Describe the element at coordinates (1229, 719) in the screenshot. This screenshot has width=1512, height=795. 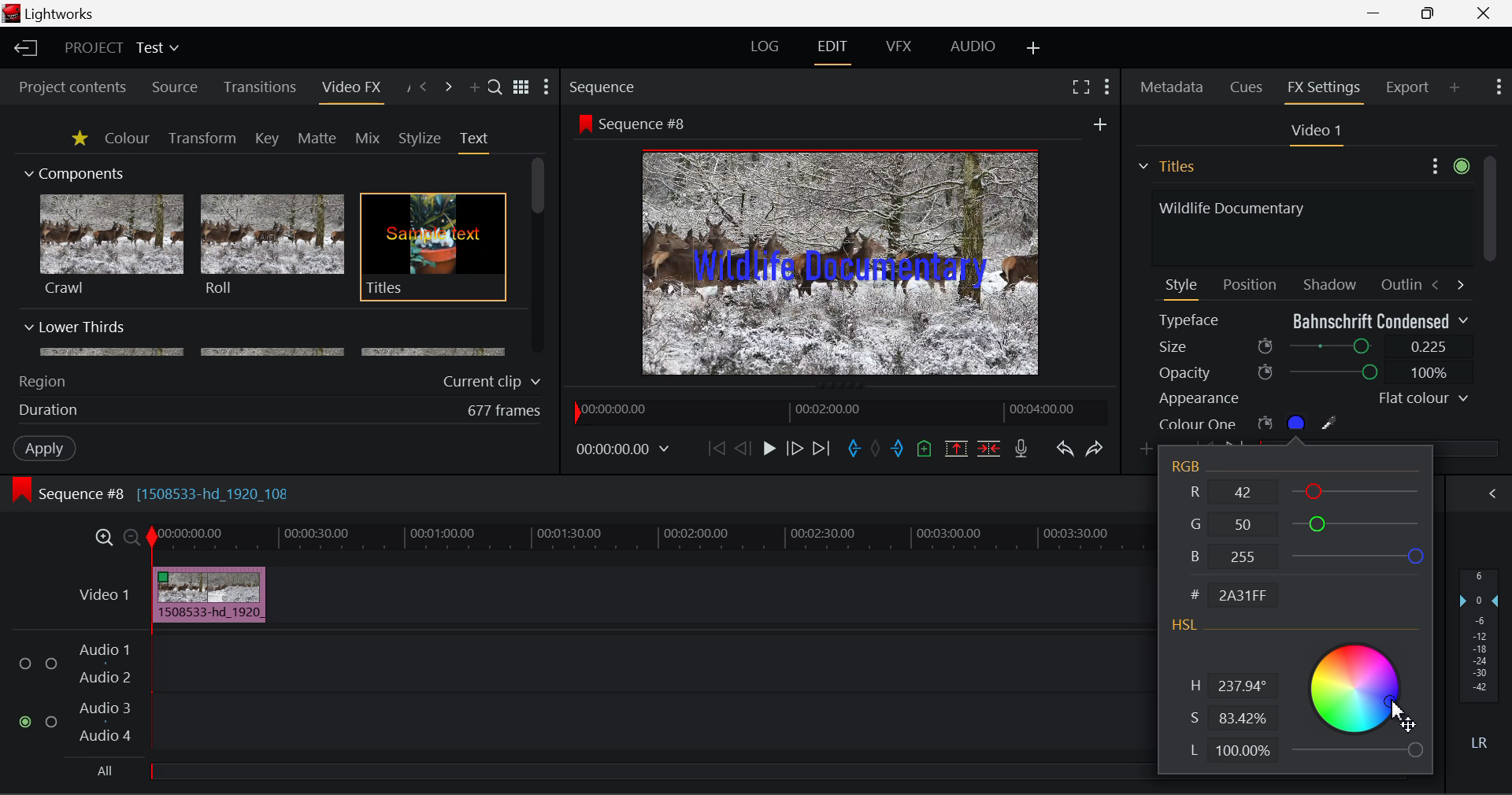
I see `S` at that location.